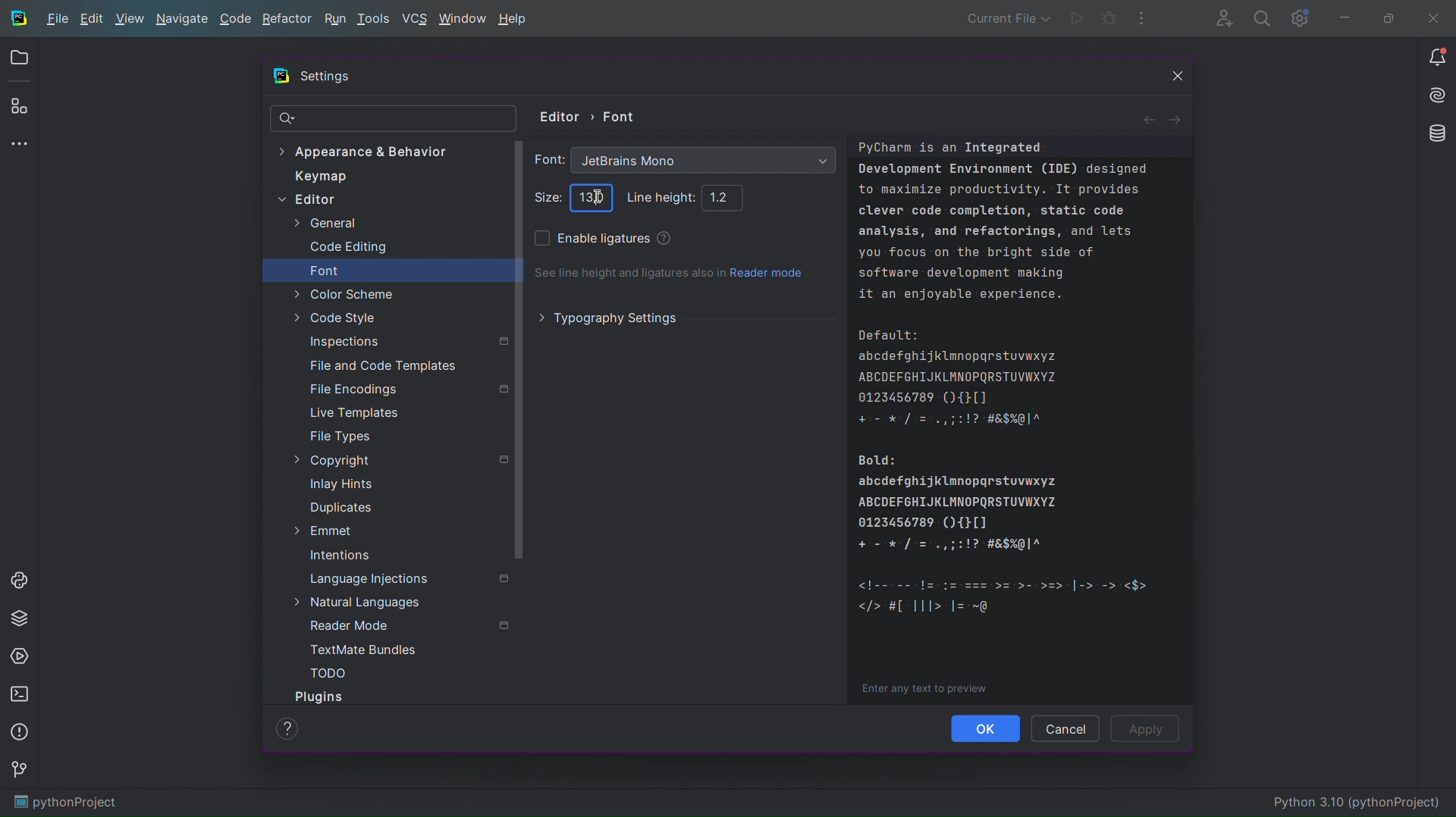  What do you see at coordinates (364, 650) in the screenshot?
I see `TextMate Bundles` at bounding box center [364, 650].